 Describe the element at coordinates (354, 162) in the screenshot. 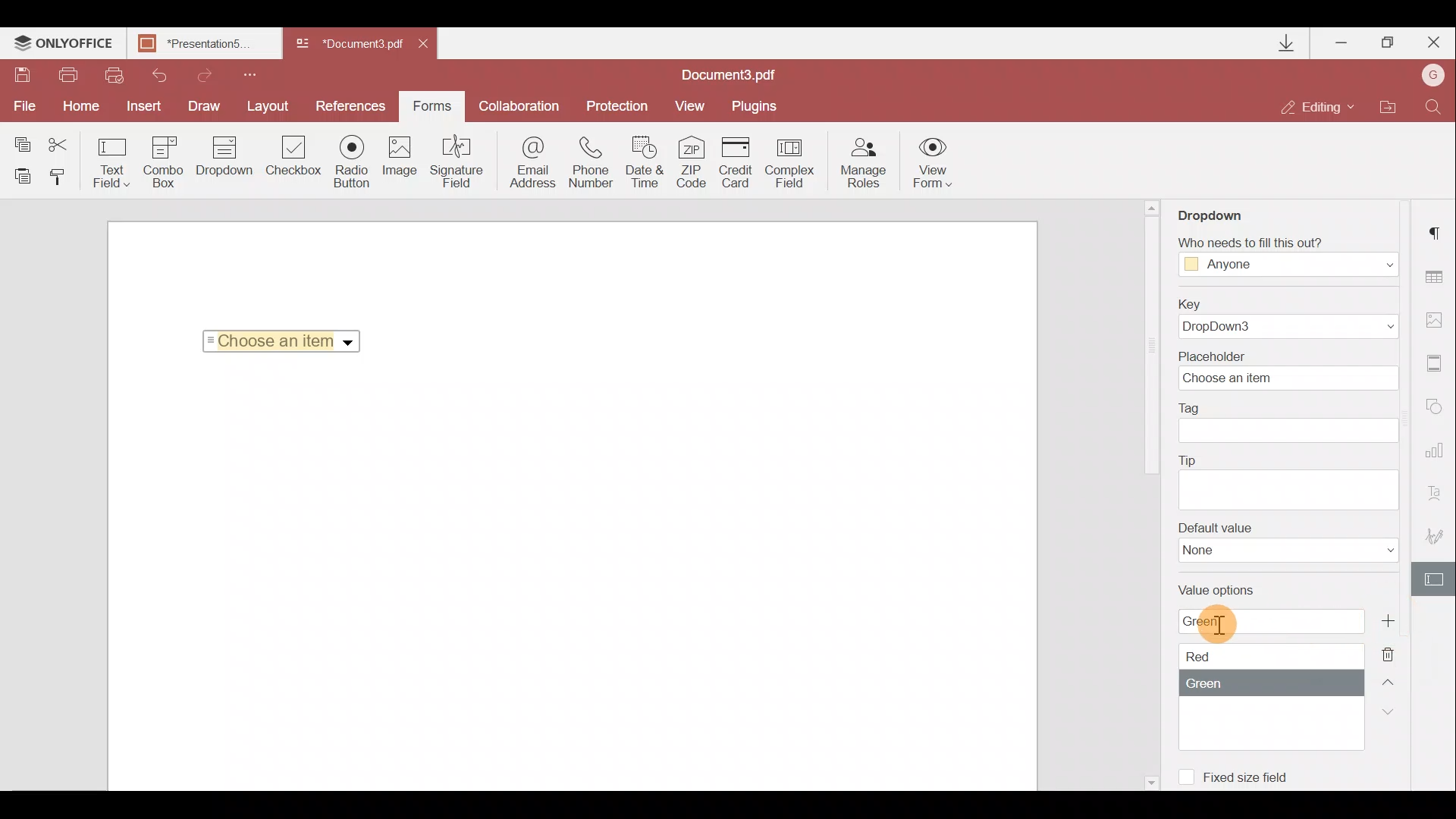

I see `Radio` at that location.